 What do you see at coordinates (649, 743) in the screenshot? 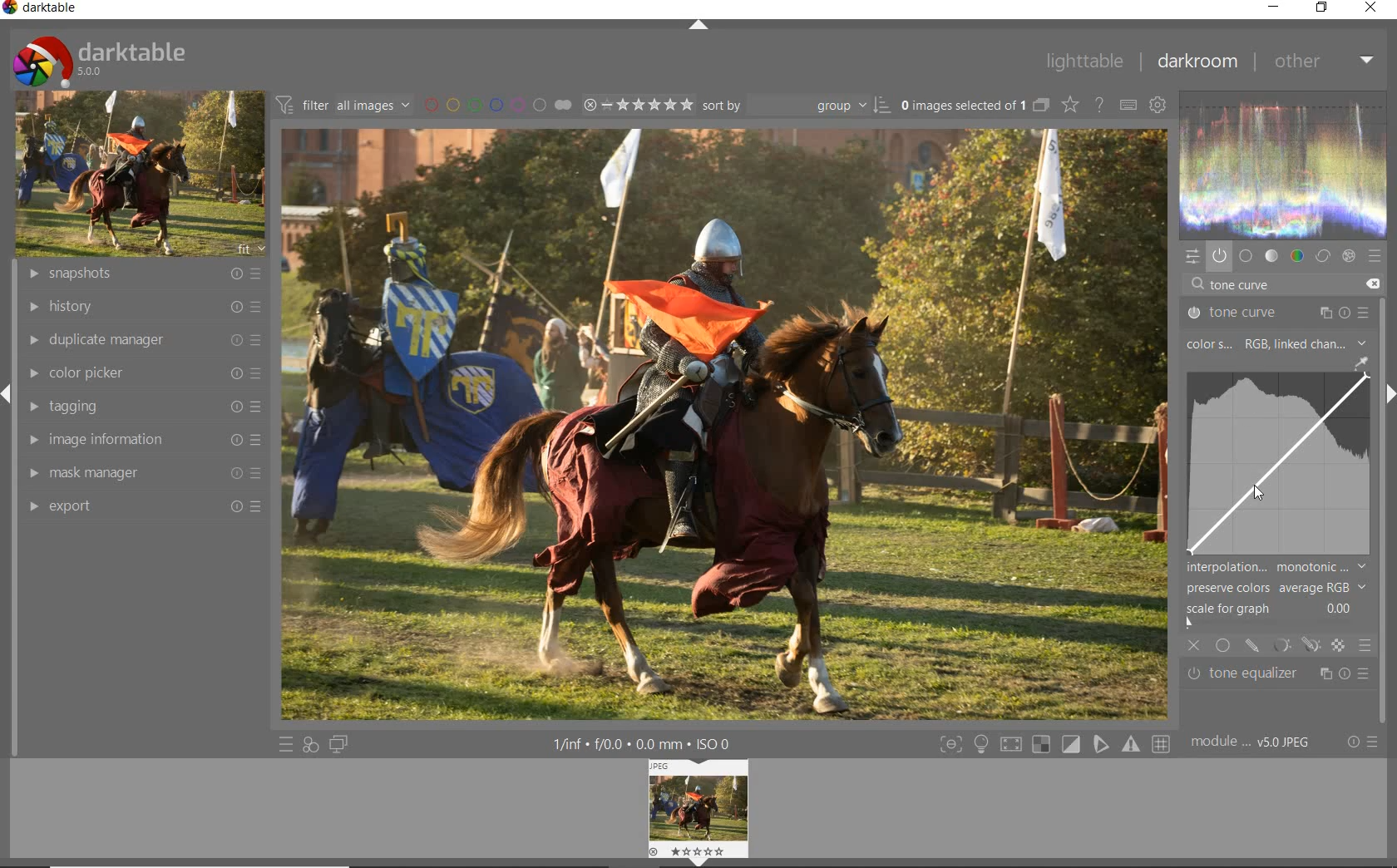
I see `1/fnf f/0.0 0.0 mm ISO 0` at bounding box center [649, 743].